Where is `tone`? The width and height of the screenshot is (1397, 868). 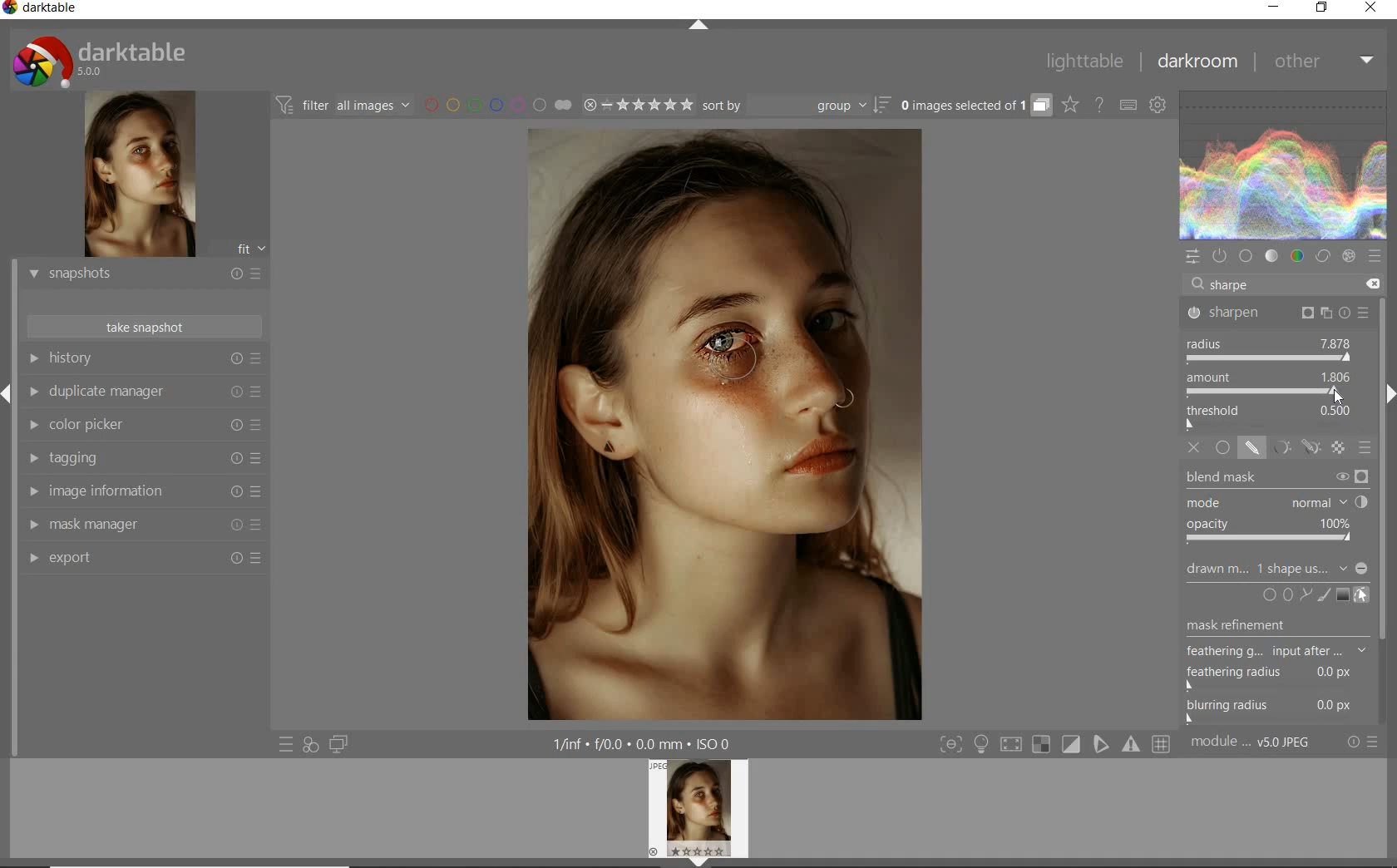
tone is located at coordinates (1272, 256).